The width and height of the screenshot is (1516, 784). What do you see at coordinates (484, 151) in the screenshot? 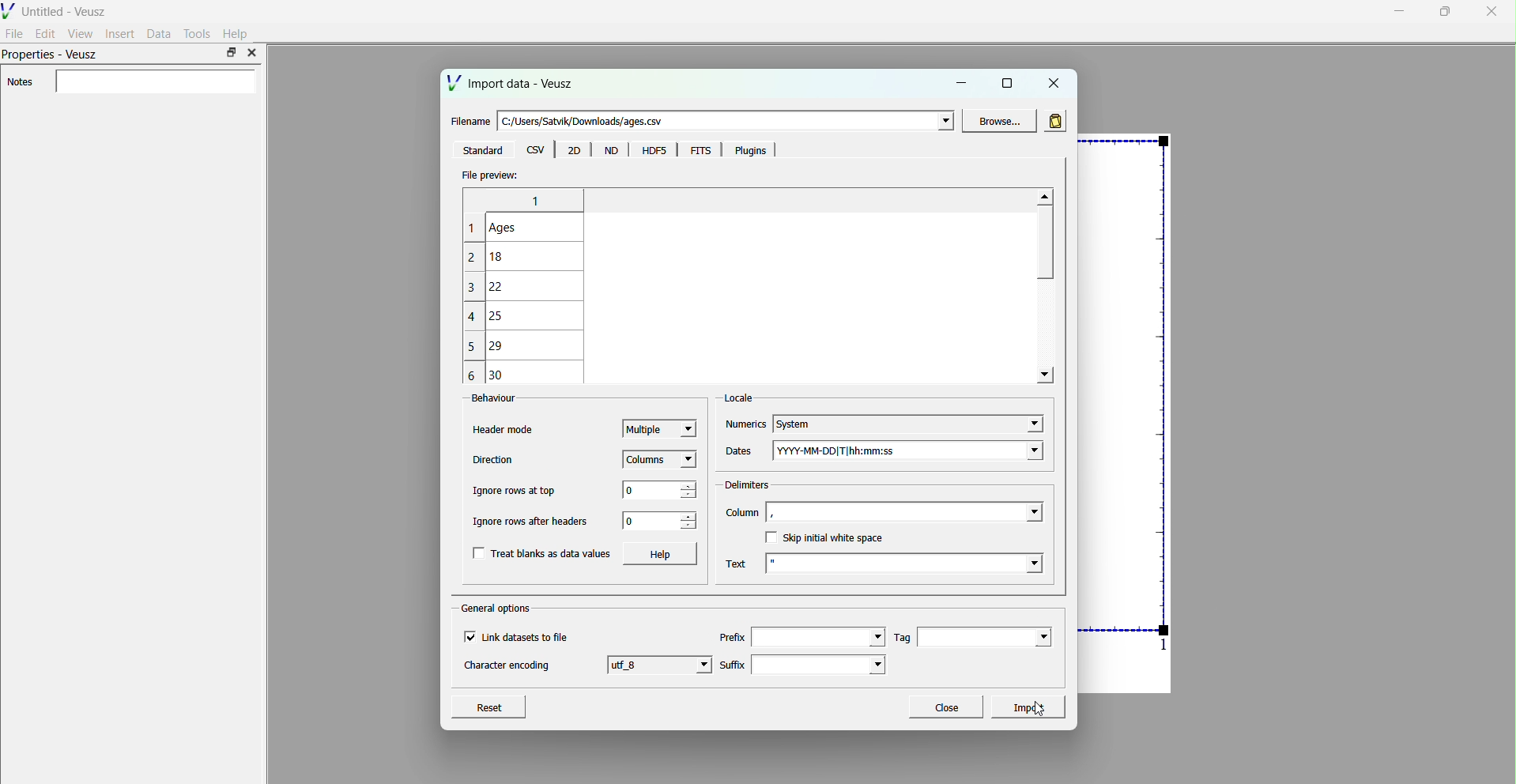
I see `‘Standard` at bounding box center [484, 151].